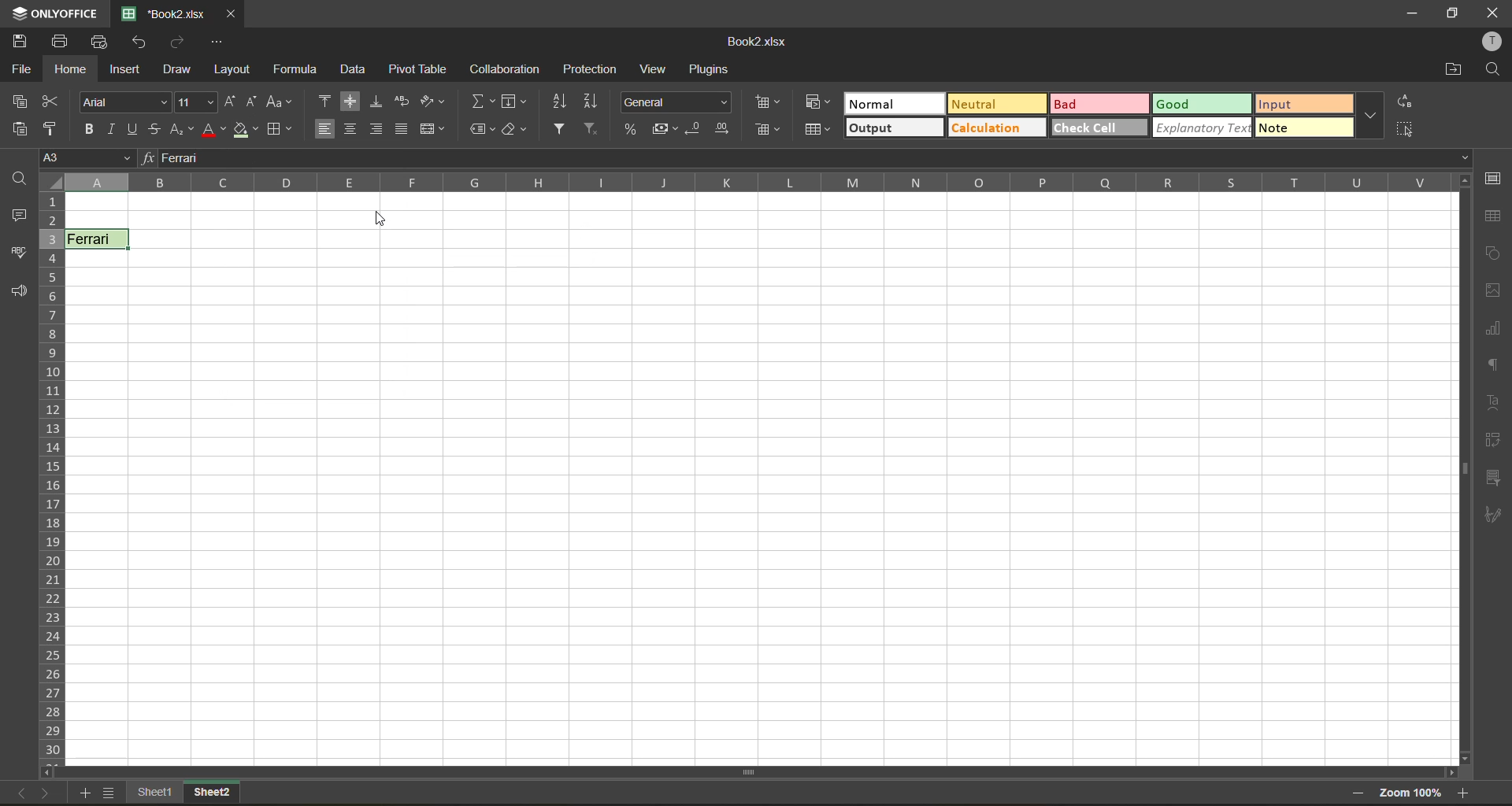 Image resolution: width=1512 pixels, height=806 pixels. I want to click on align middle, so click(350, 100).